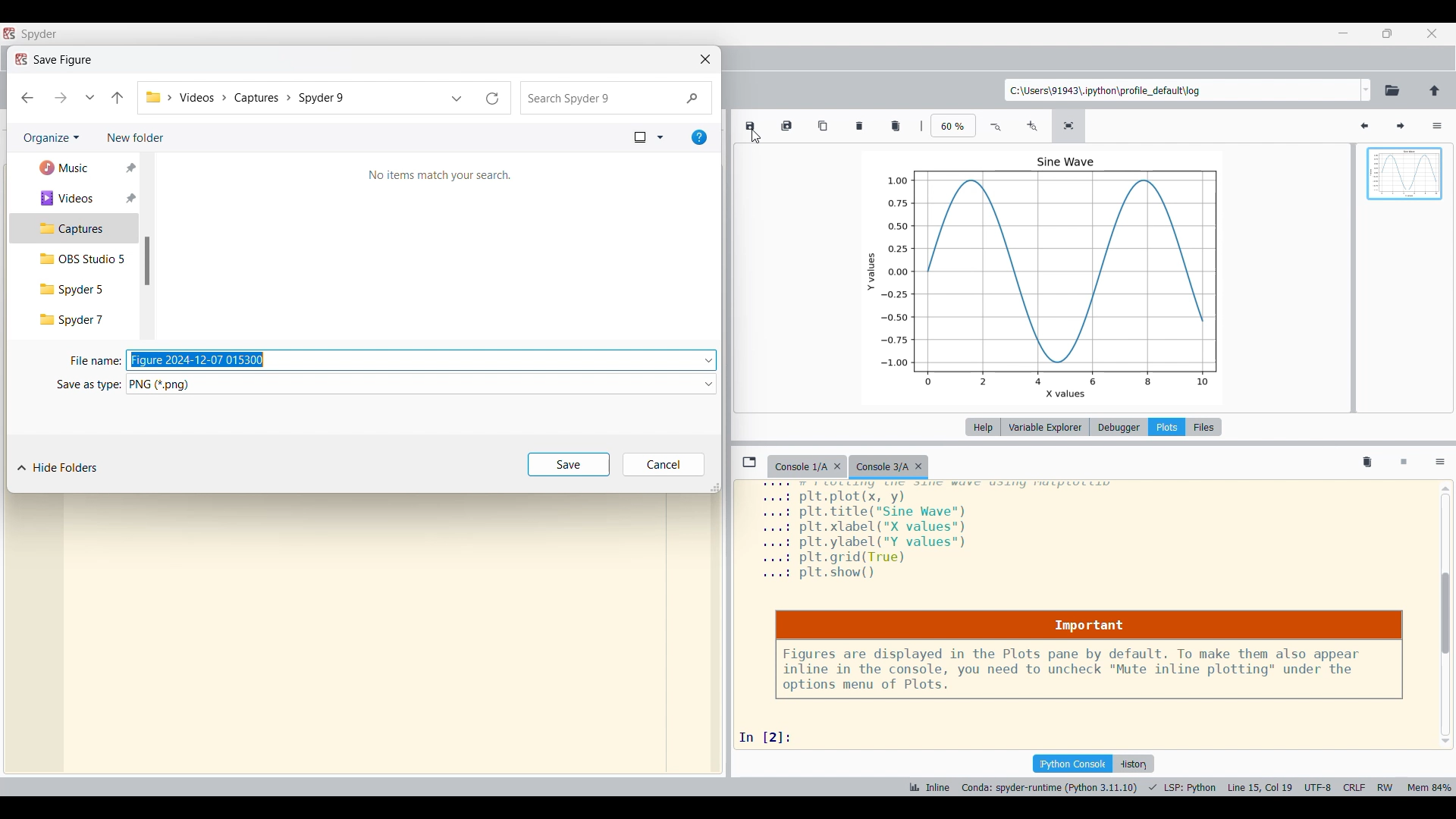 This screenshot has height=819, width=1456. What do you see at coordinates (58, 468) in the screenshot?
I see `Hide folders` at bounding box center [58, 468].